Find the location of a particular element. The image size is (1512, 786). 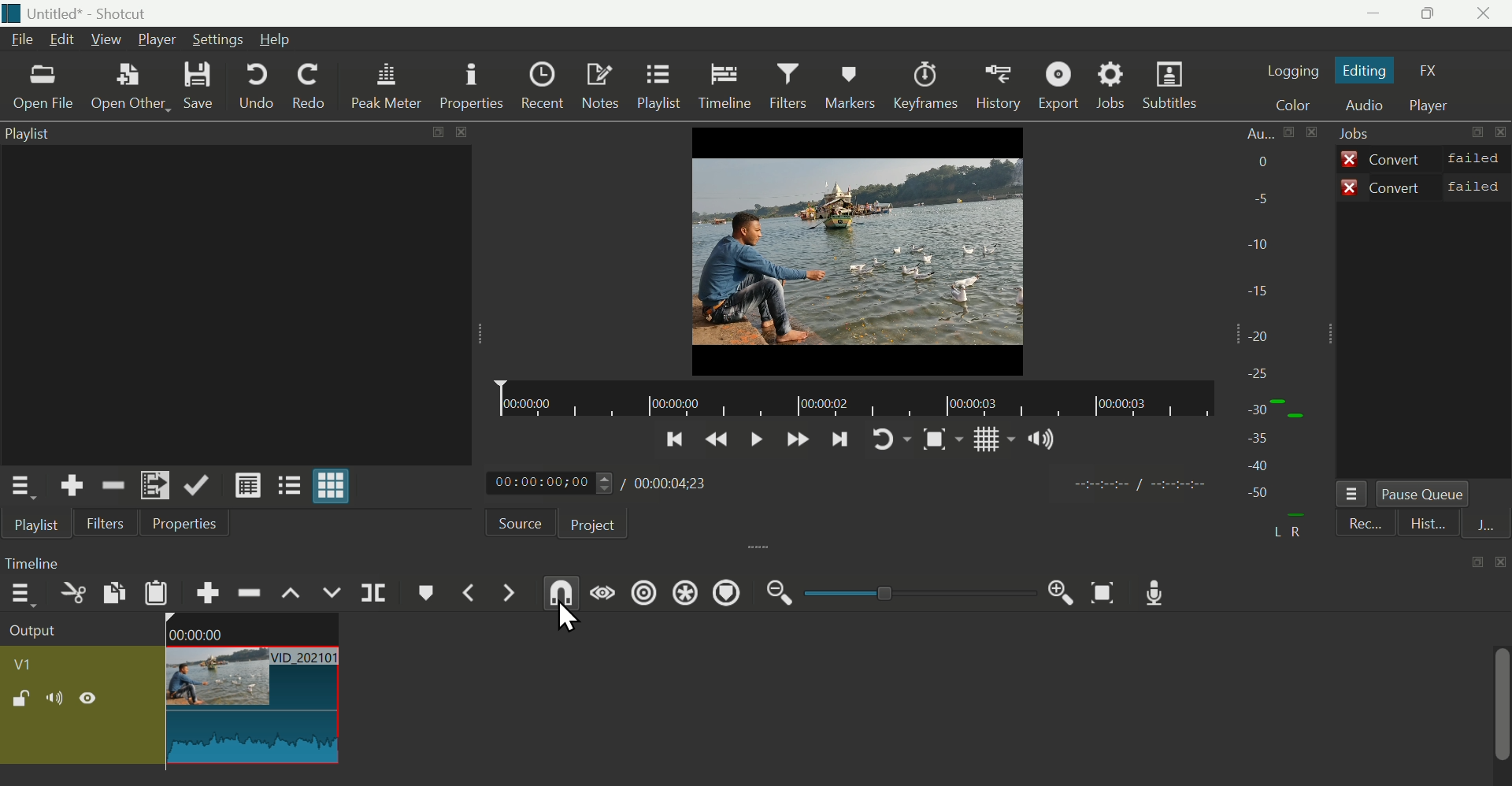

Create/Edit  Marker is located at coordinates (427, 595).